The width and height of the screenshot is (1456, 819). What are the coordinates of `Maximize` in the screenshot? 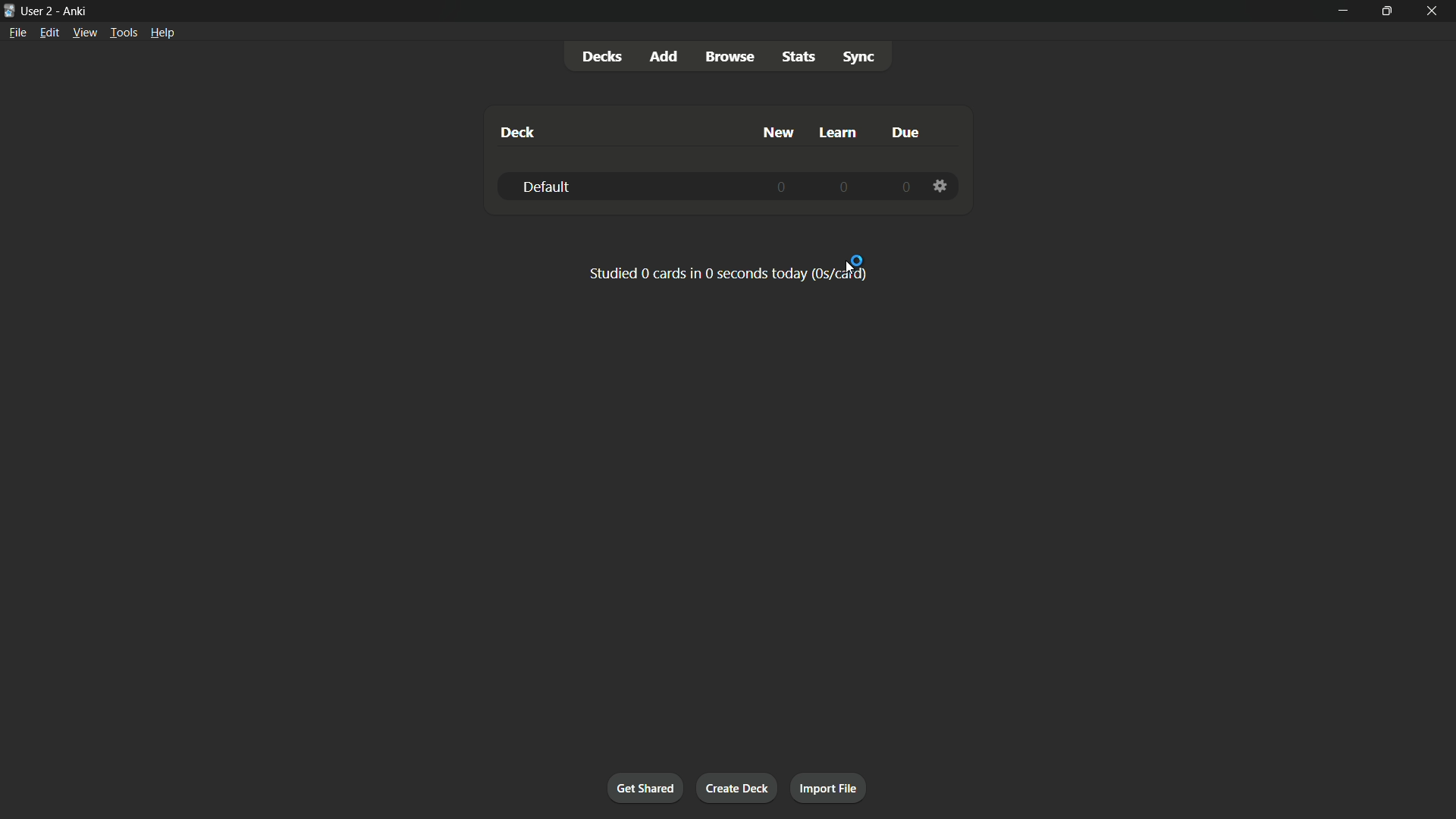 It's located at (1385, 11).